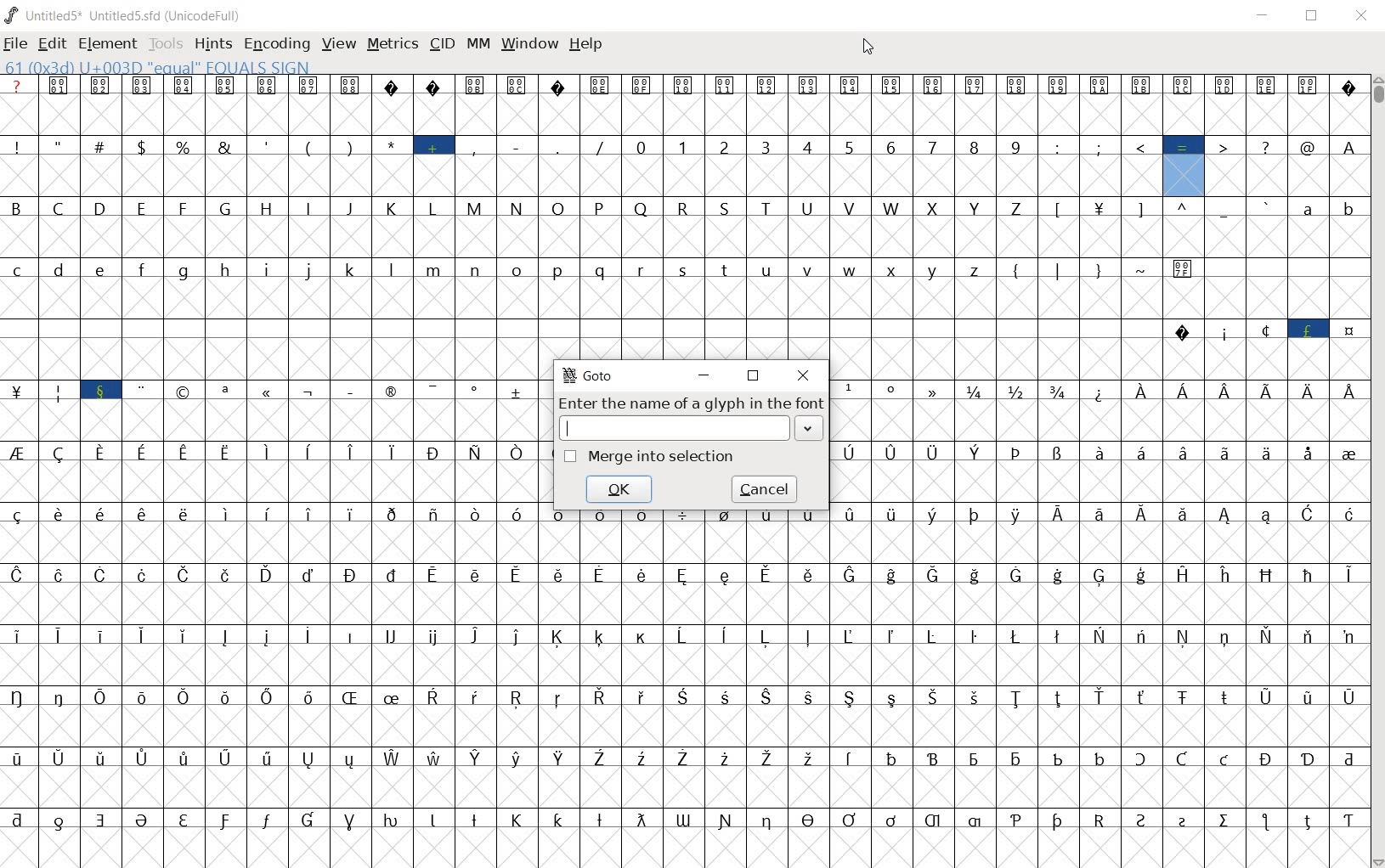  Describe the element at coordinates (1377, 471) in the screenshot. I see `scrollbar` at that location.